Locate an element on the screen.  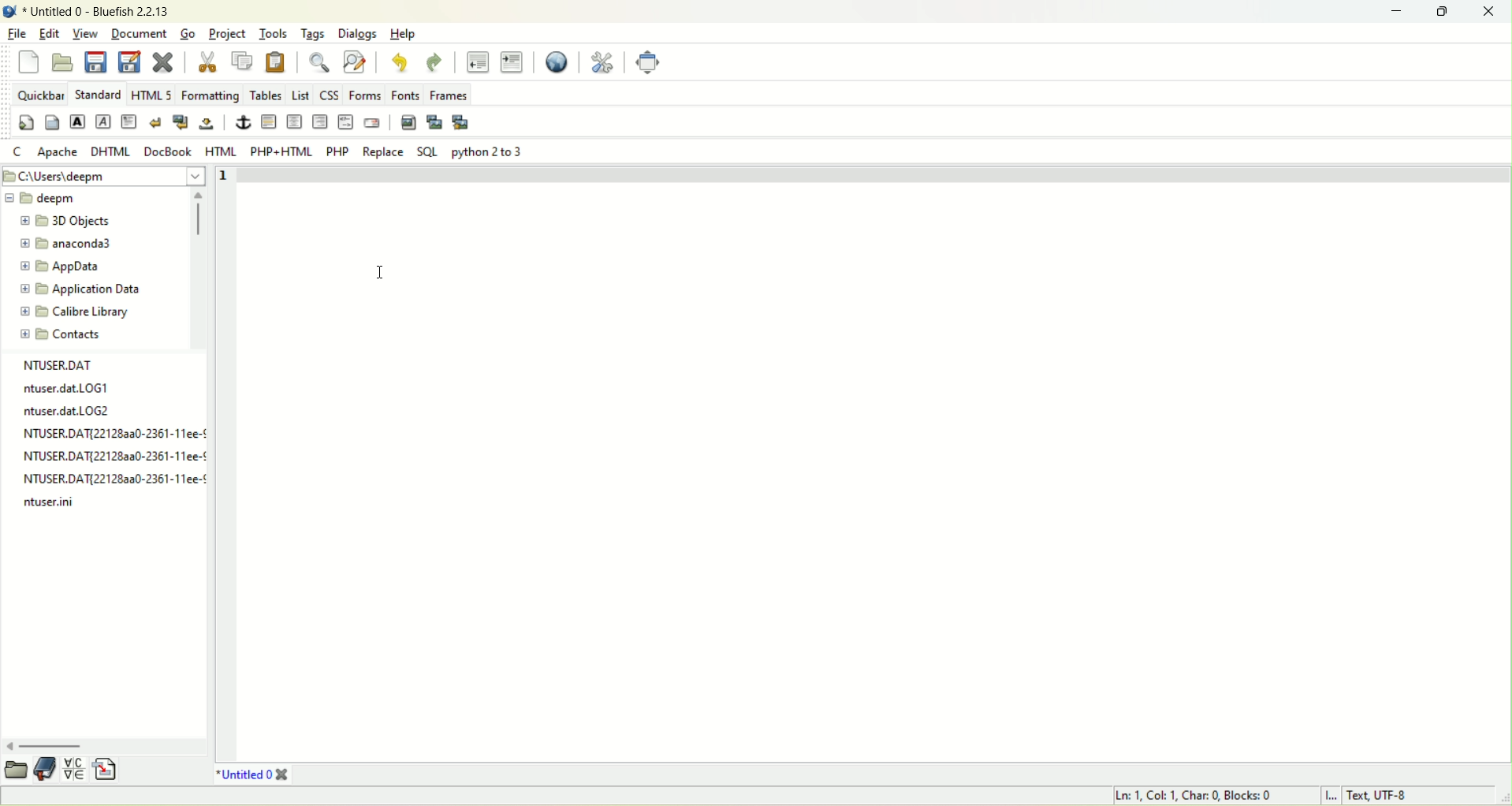
folder name is located at coordinates (61, 266).